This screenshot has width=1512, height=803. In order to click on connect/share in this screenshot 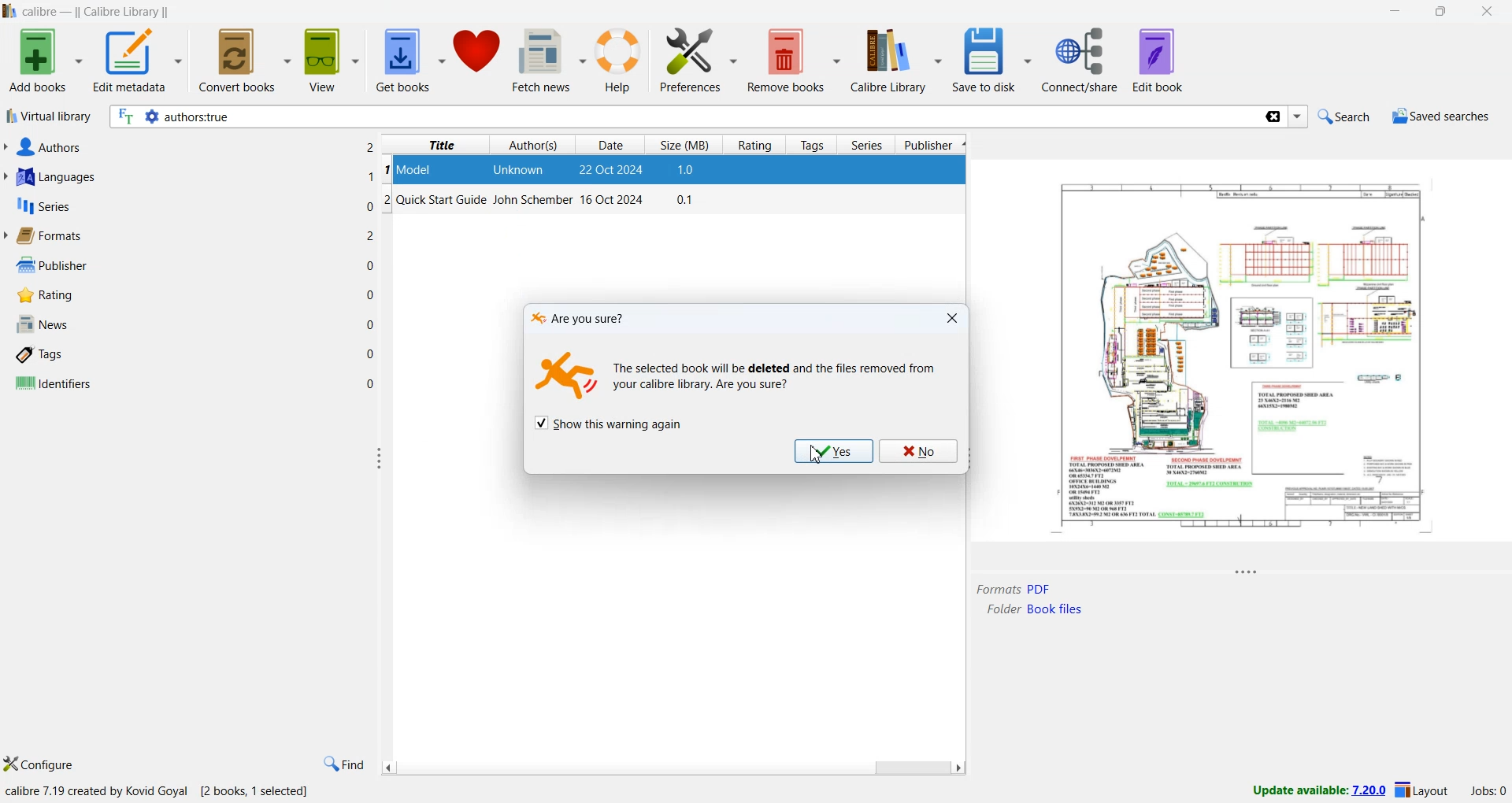, I will do `click(1083, 60)`.